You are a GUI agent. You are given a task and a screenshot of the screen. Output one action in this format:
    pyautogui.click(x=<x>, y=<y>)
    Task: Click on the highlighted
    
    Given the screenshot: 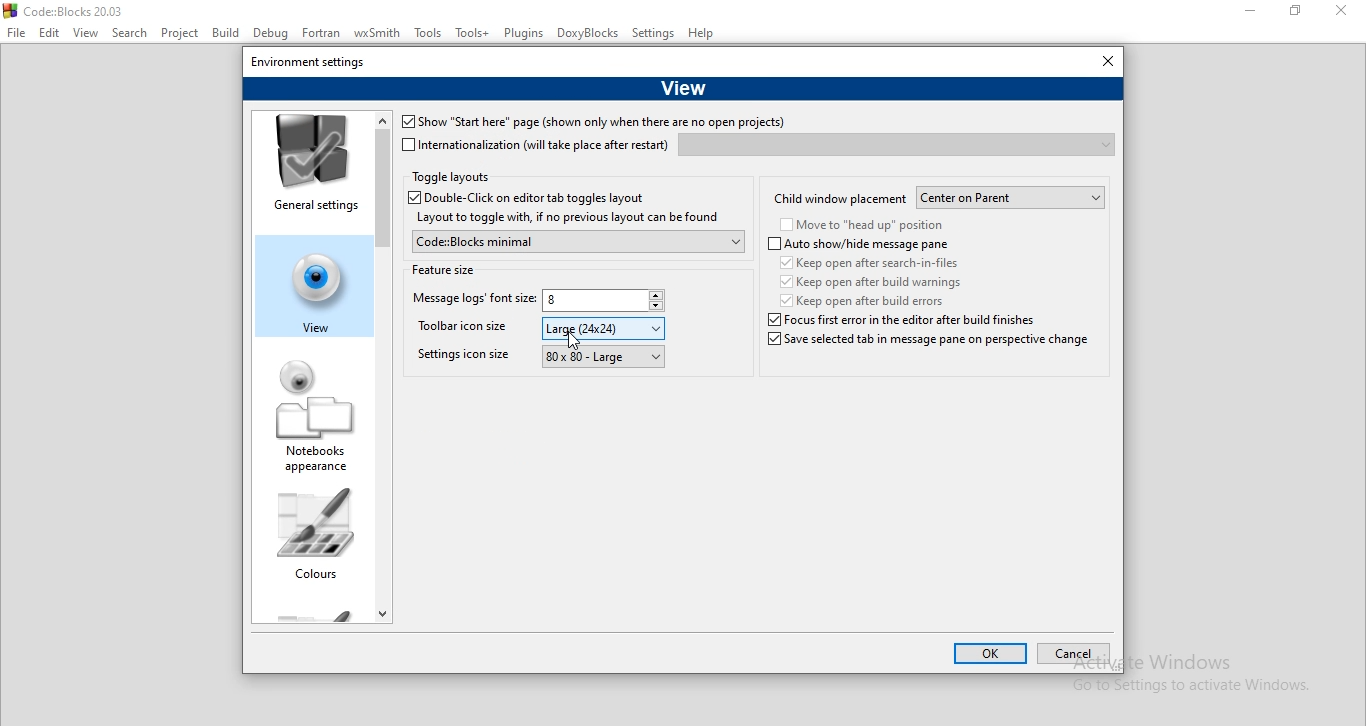 What is the action you would take?
    pyautogui.click(x=308, y=282)
    